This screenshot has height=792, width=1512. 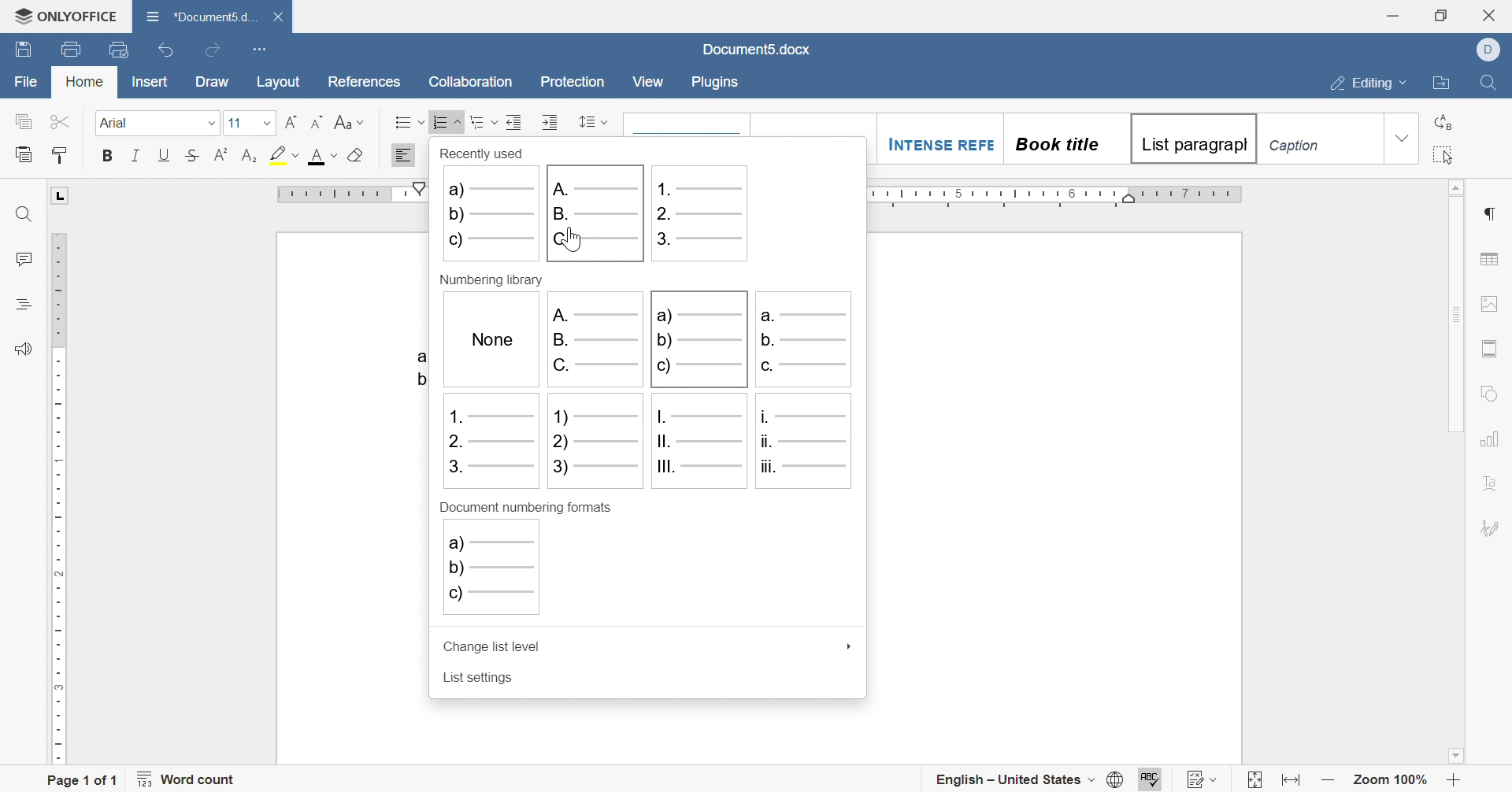 What do you see at coordinates (713, 83) in the screenshot?
I see `plugins` at bounding box center [713, 83].